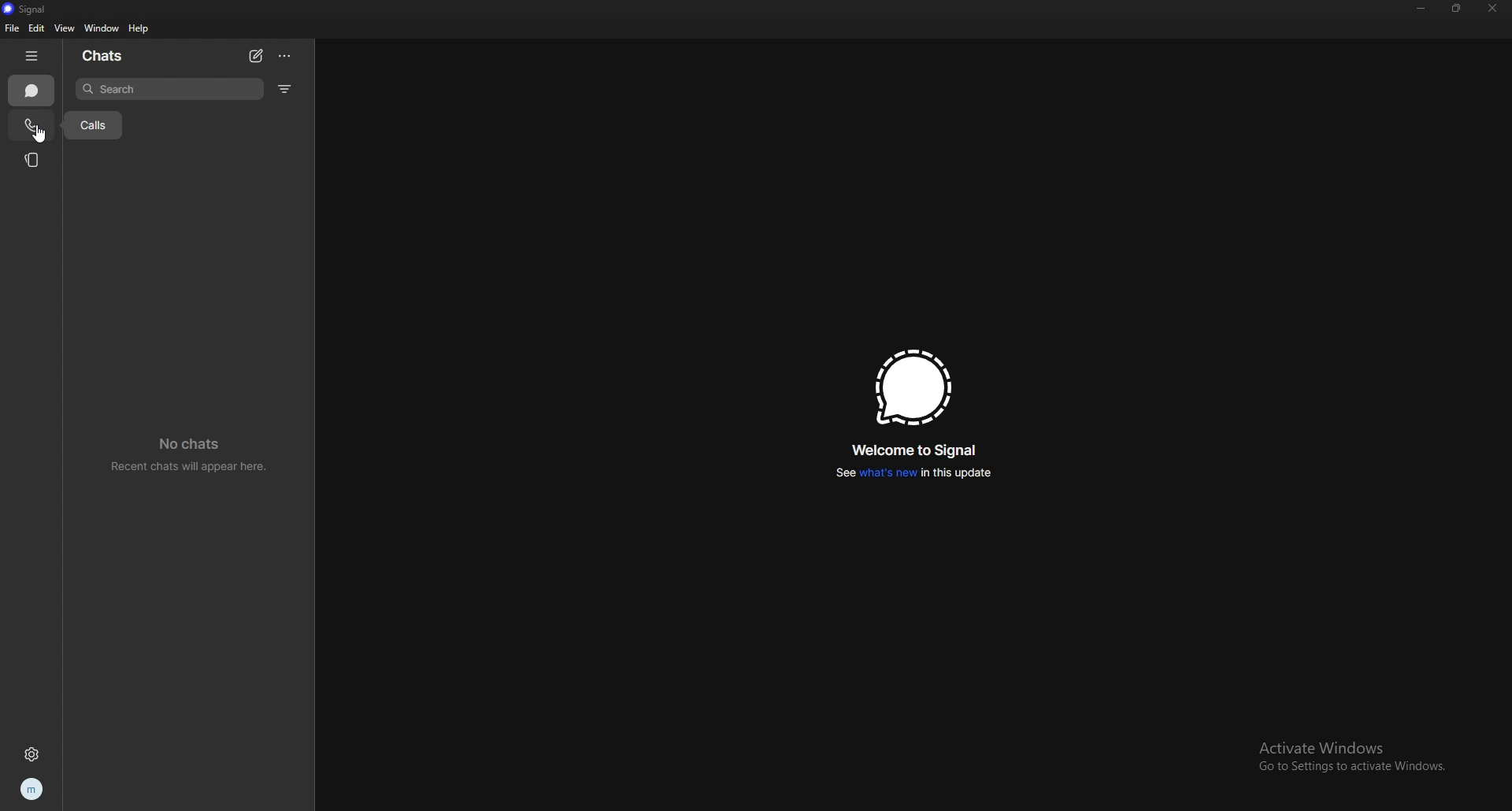 This screenshot has width=1512, height=811. What do you see at coordinates (171, 89) in the screenshot?
I see `search` at bounding box center [171, 89].